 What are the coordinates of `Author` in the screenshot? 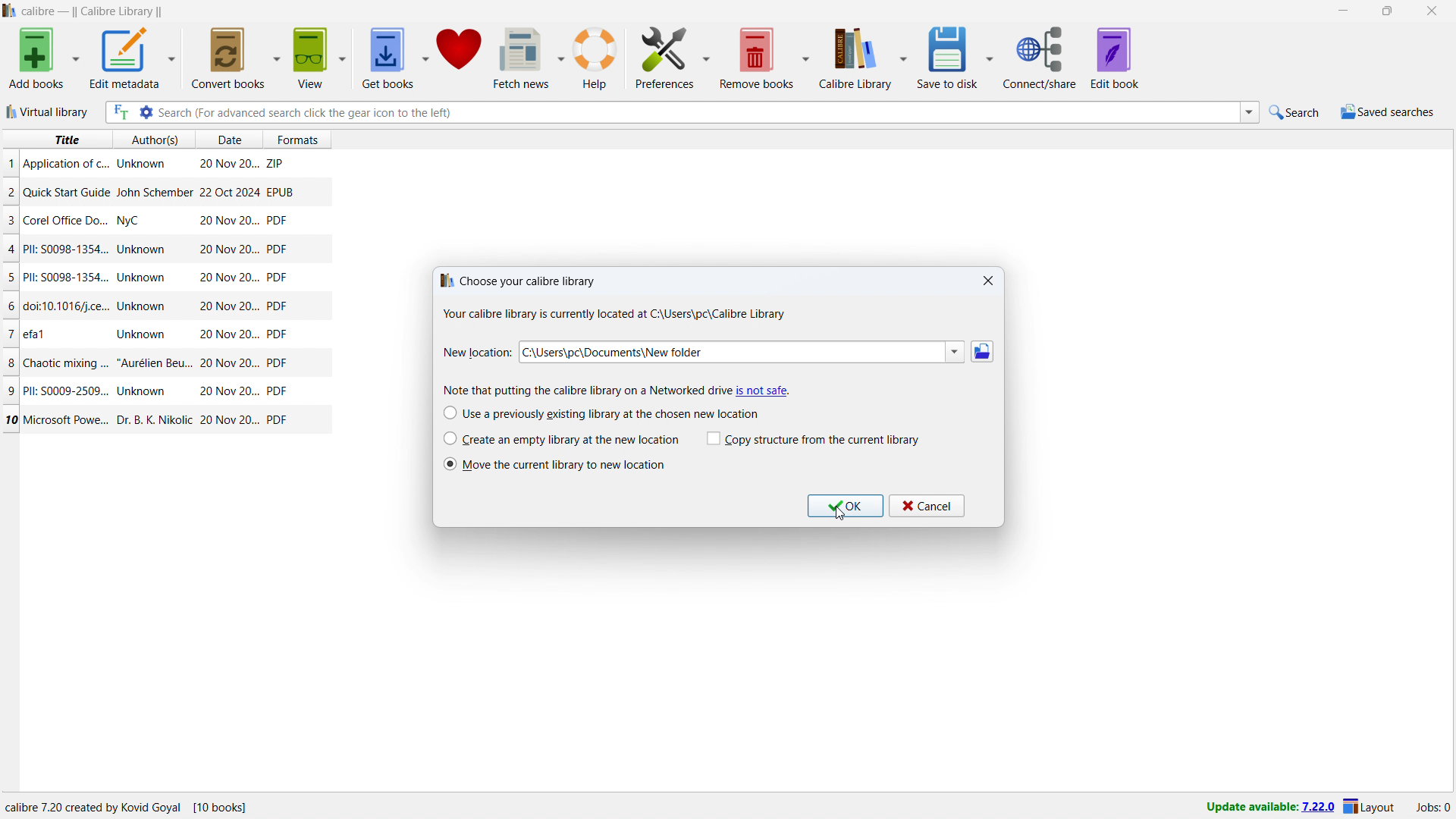 It's located at (141, 333).